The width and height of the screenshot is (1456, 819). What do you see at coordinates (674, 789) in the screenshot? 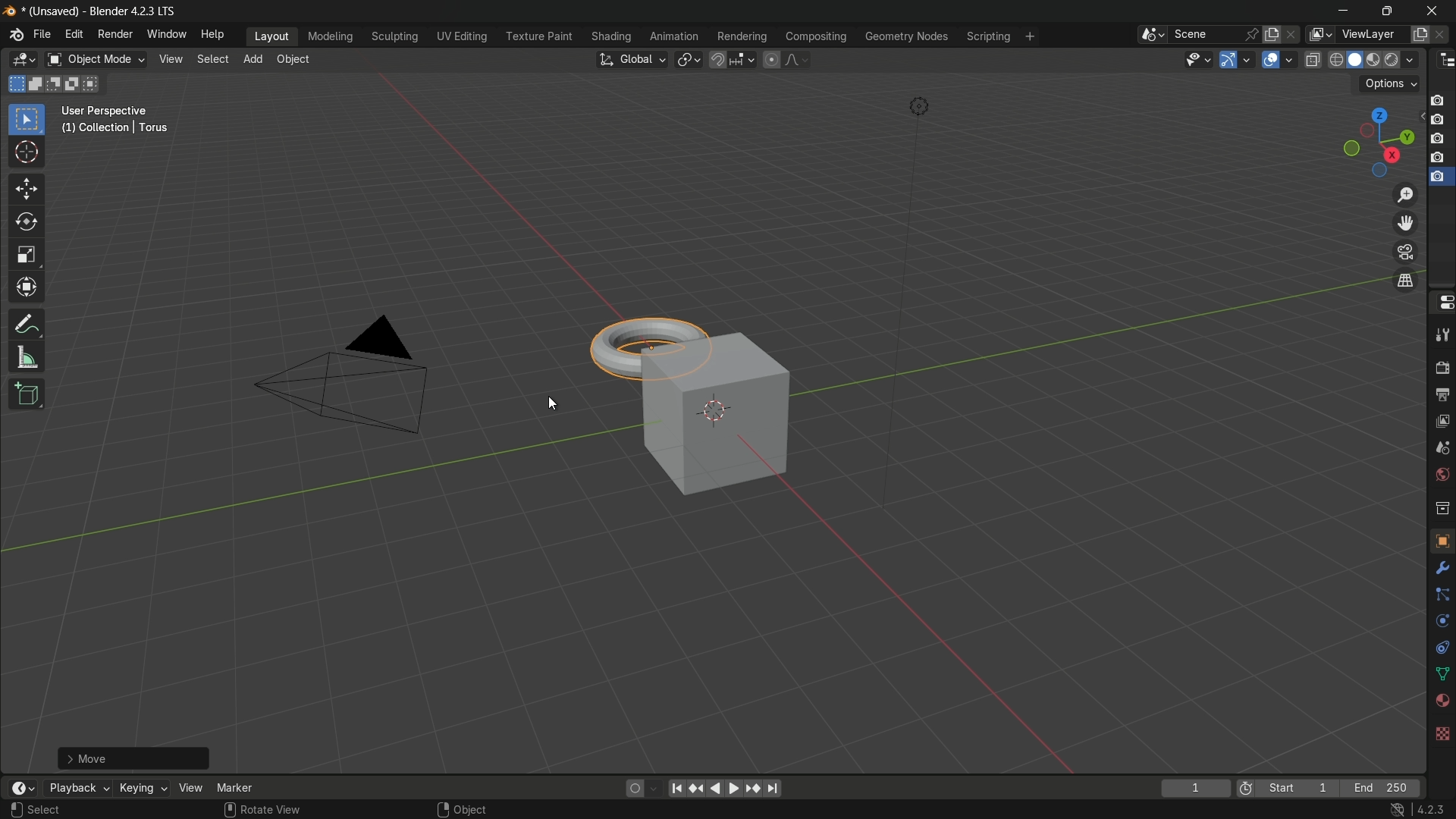
I see `jump to endpoint` at bounding box center [674, 789].